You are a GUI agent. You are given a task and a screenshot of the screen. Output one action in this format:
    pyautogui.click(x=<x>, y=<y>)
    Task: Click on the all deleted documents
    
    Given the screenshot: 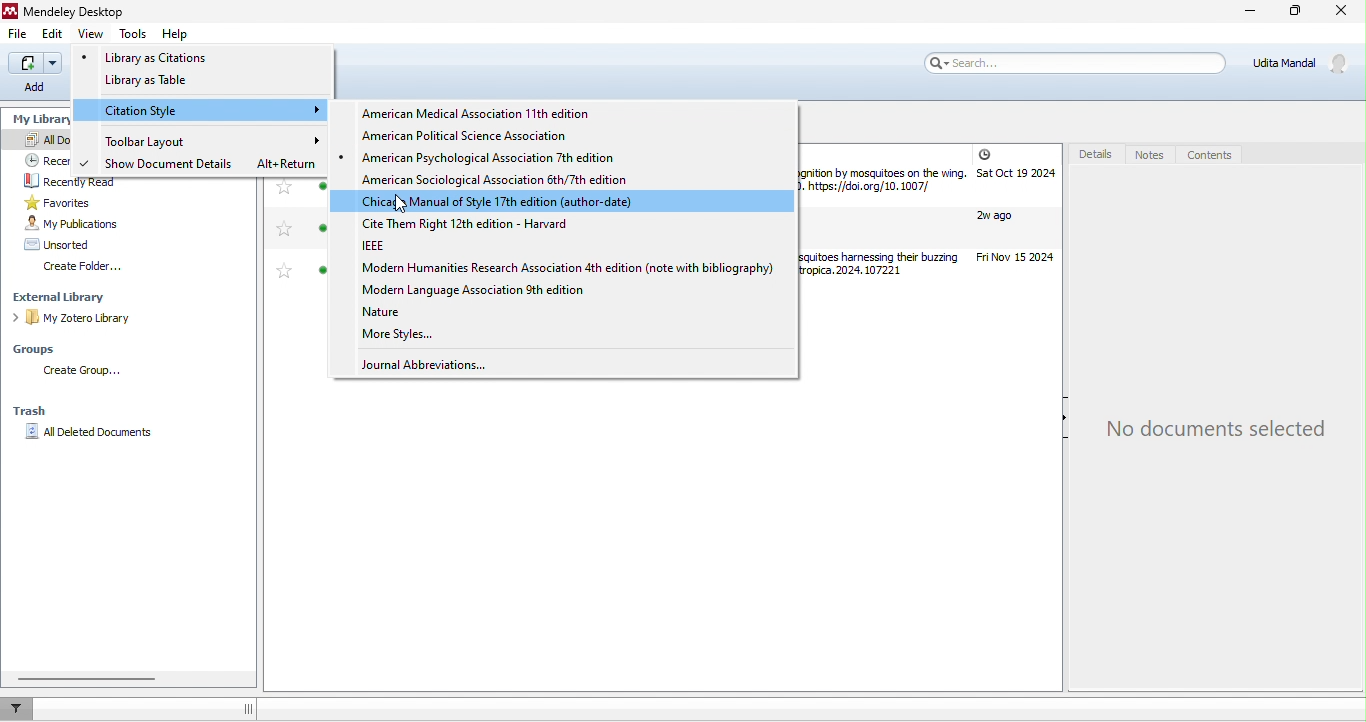 What is the action you would take?
    pyautogui.click(x=93, y=437)
    